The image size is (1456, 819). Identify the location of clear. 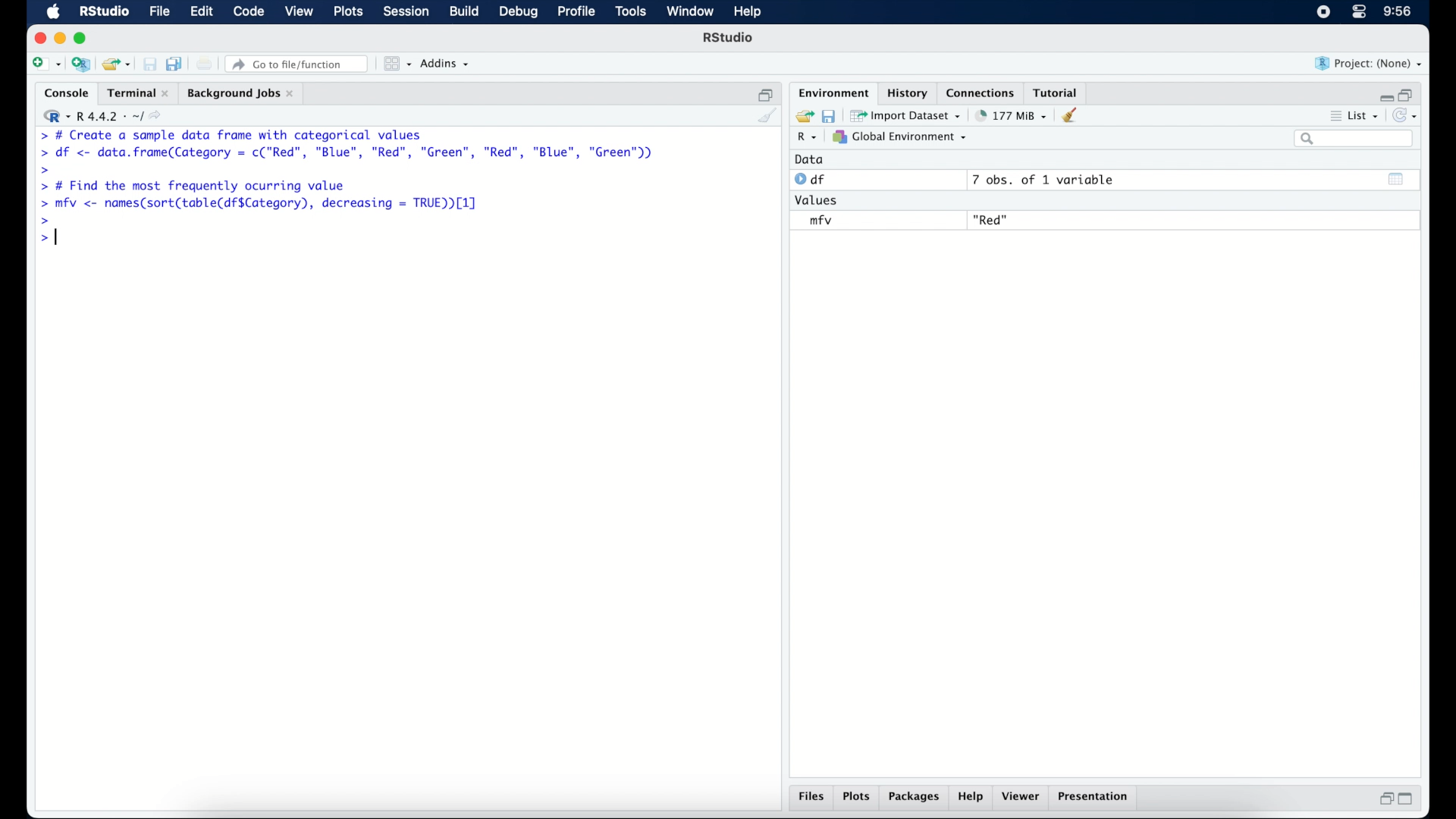
(1075, 116).